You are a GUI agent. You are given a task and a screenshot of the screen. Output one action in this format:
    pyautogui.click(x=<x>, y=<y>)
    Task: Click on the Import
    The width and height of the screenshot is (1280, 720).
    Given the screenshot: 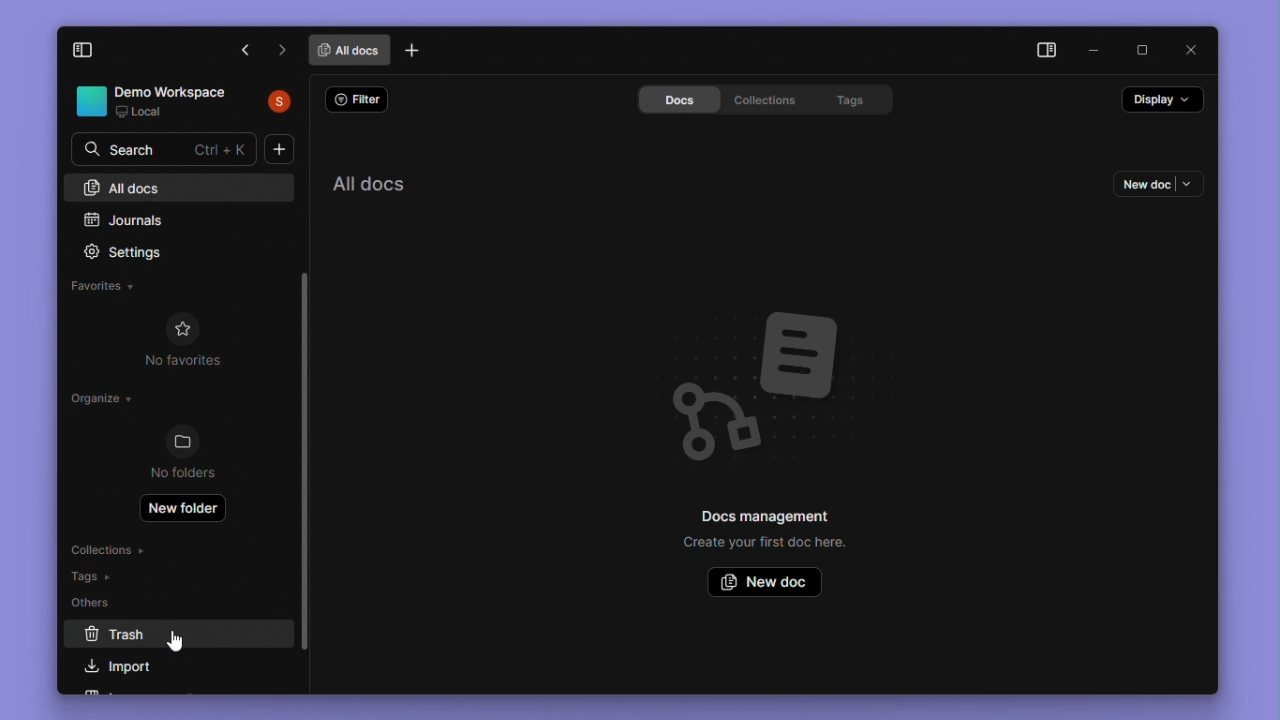 What is the action you would take?
    pyautogui.click(x=133, y=665)
    